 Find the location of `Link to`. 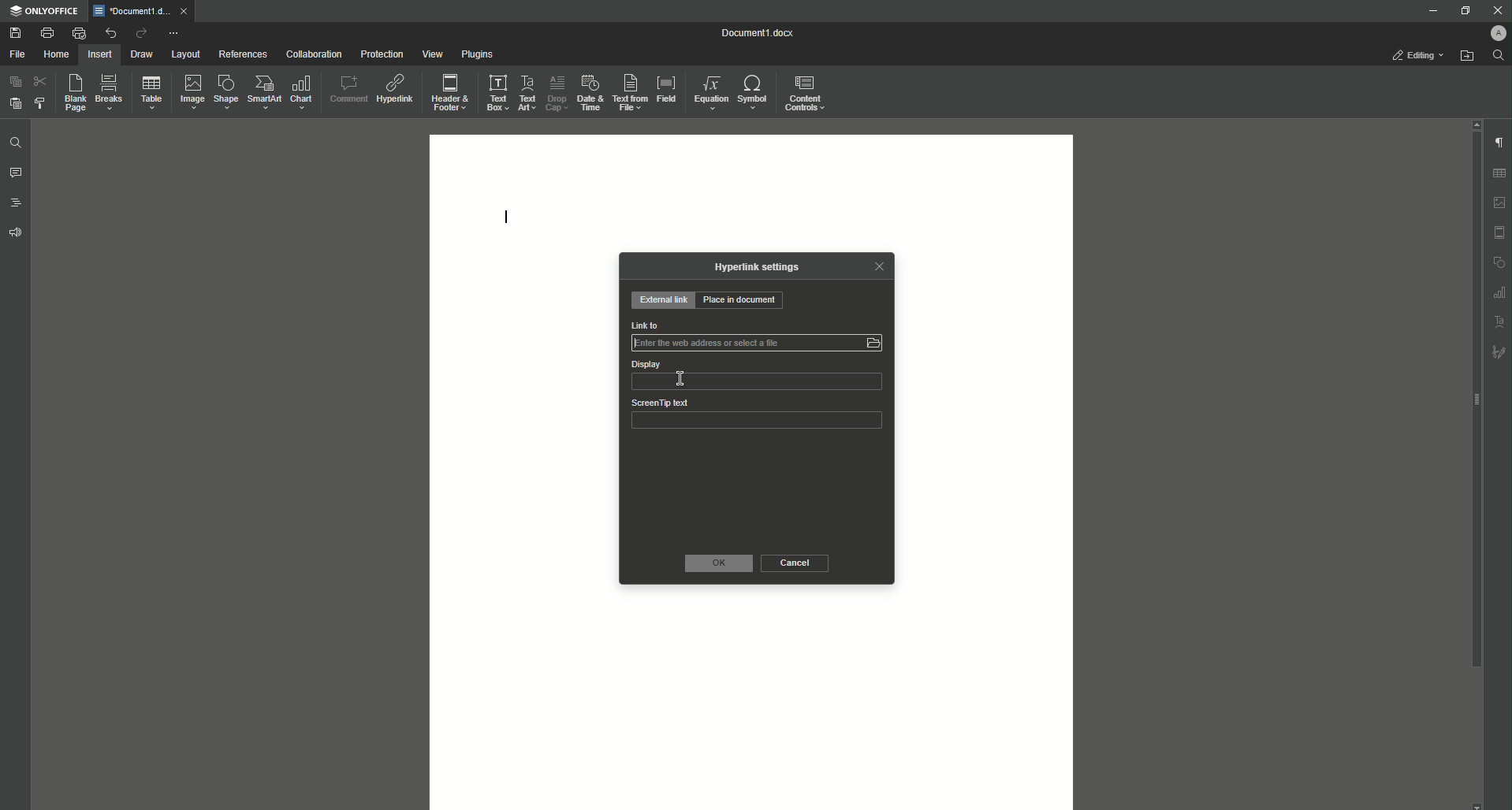

Link to is located at coordinates (645, 325).